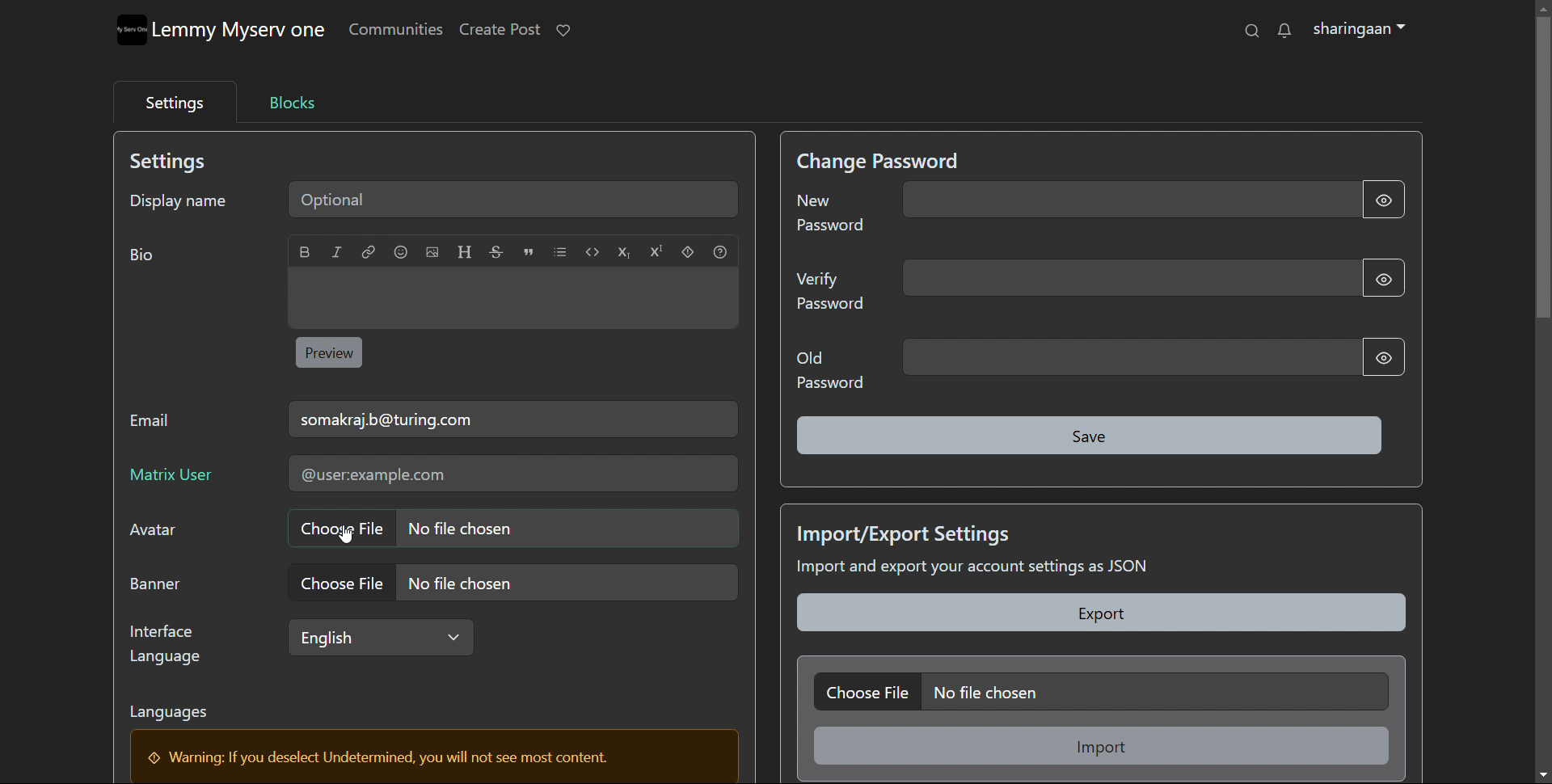 Image resolution: width=1552 pixels, height=784 pixels. What do you see at coordinates (833, 218) in the screenshot?
I see `New Password` at bounding box center [833, 218].